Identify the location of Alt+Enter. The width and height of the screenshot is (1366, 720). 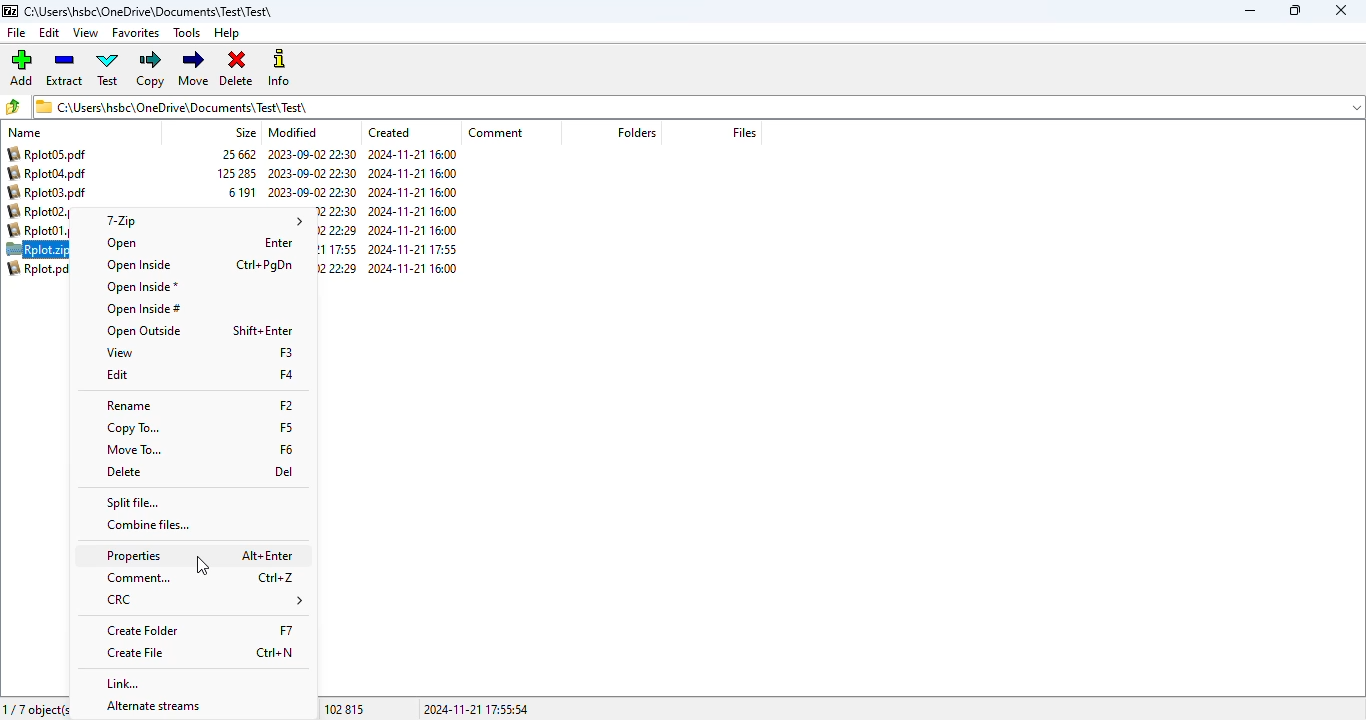
(269, 555).